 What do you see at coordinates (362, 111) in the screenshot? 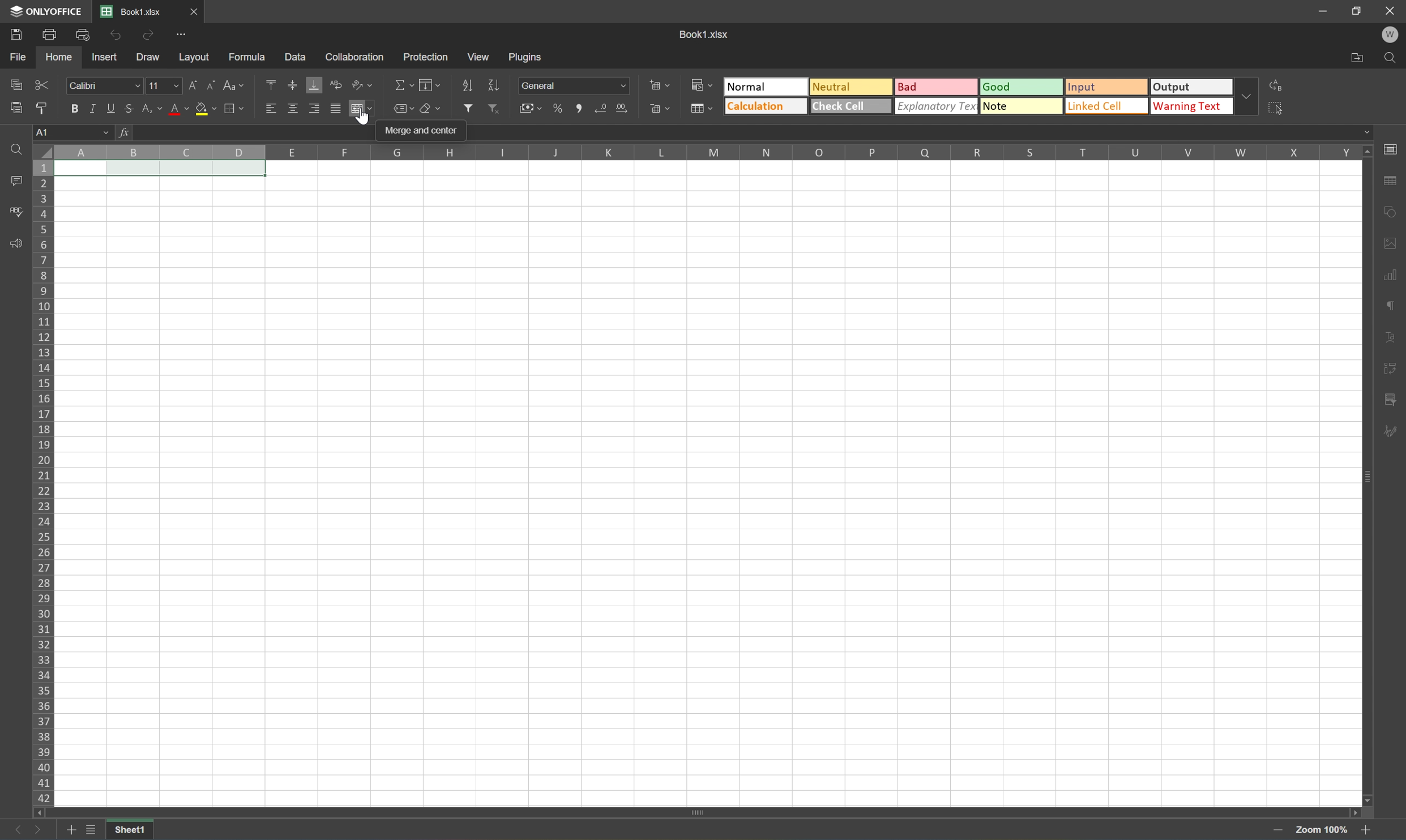
I see `Merge and  center` at bounding box center [362, 111].